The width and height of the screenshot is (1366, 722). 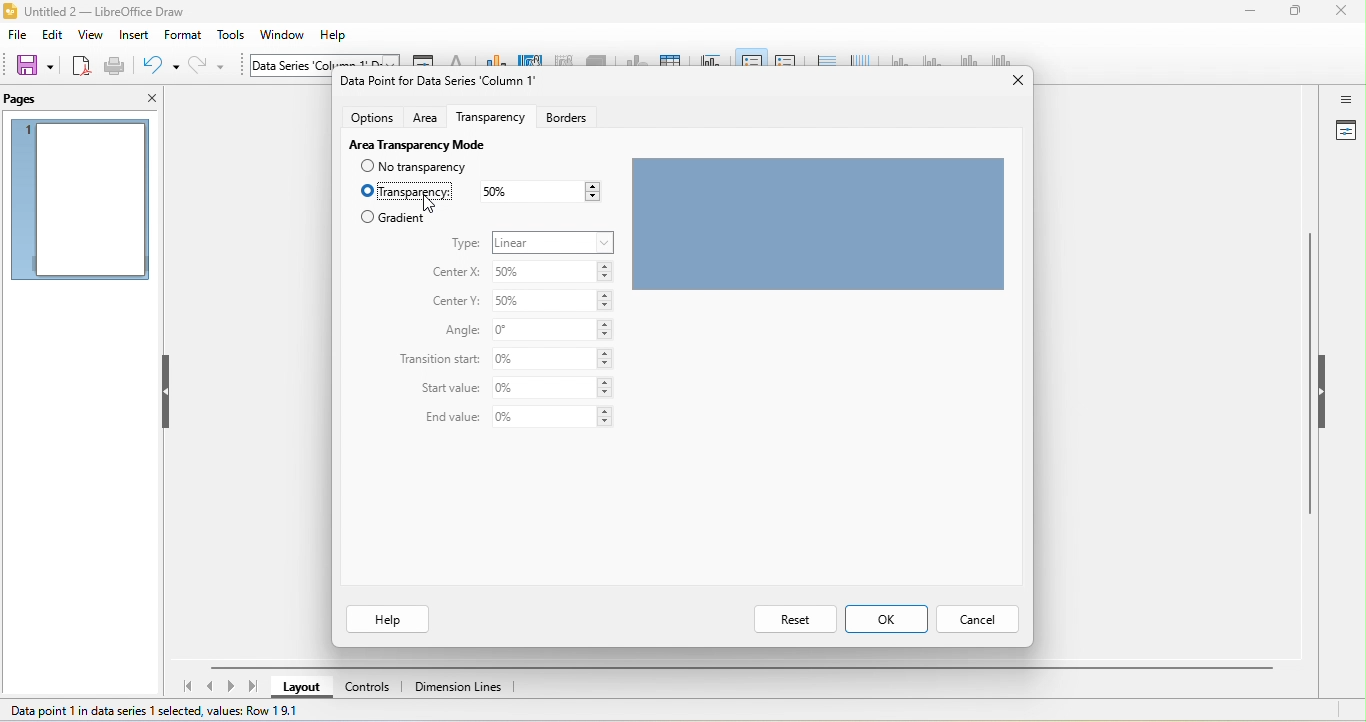 I want to click on area, so click(x=429, y=119).